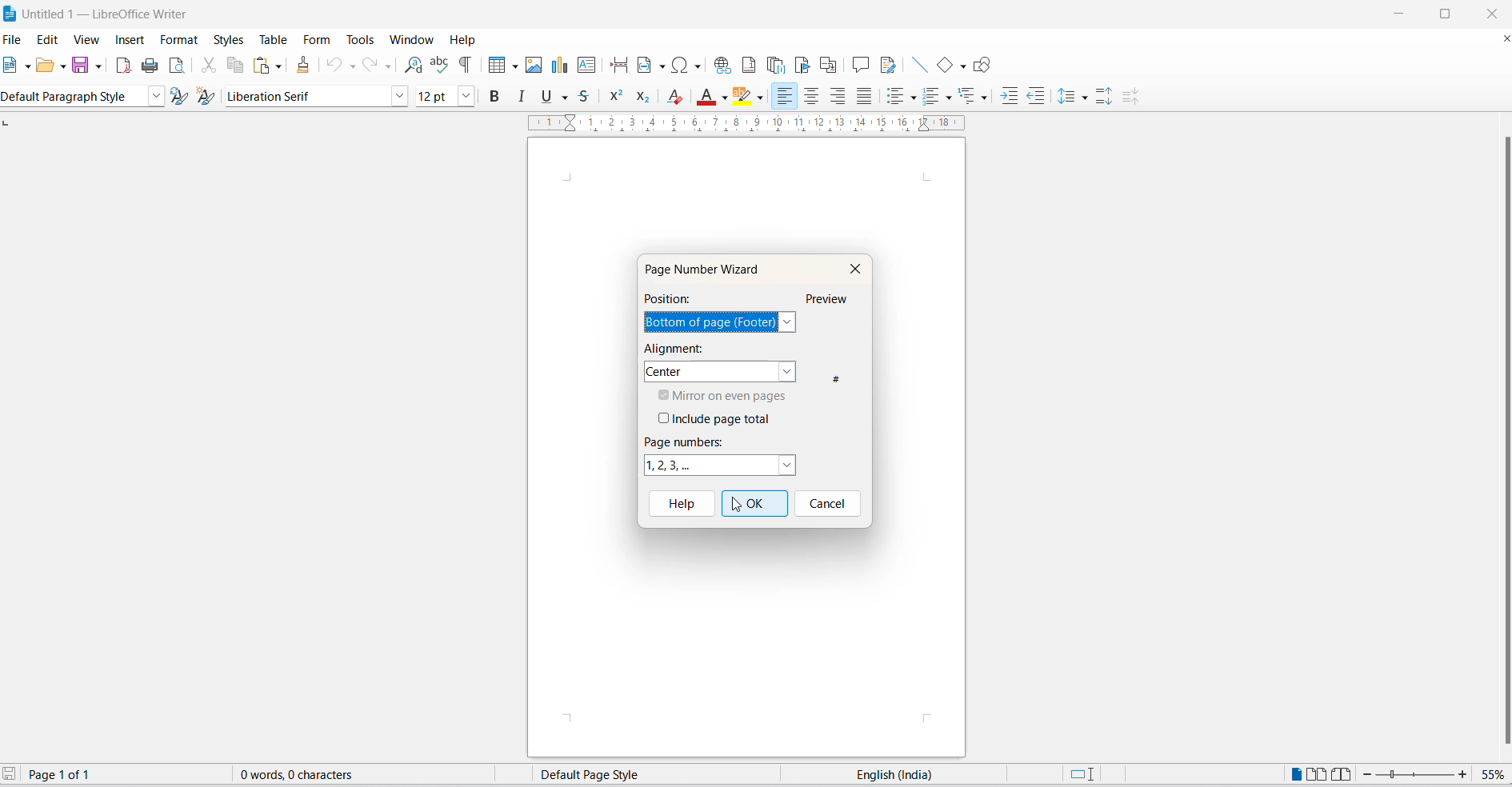  Describe the element at coordinates (87, 38) in the screenshot. I see `view` at that location.